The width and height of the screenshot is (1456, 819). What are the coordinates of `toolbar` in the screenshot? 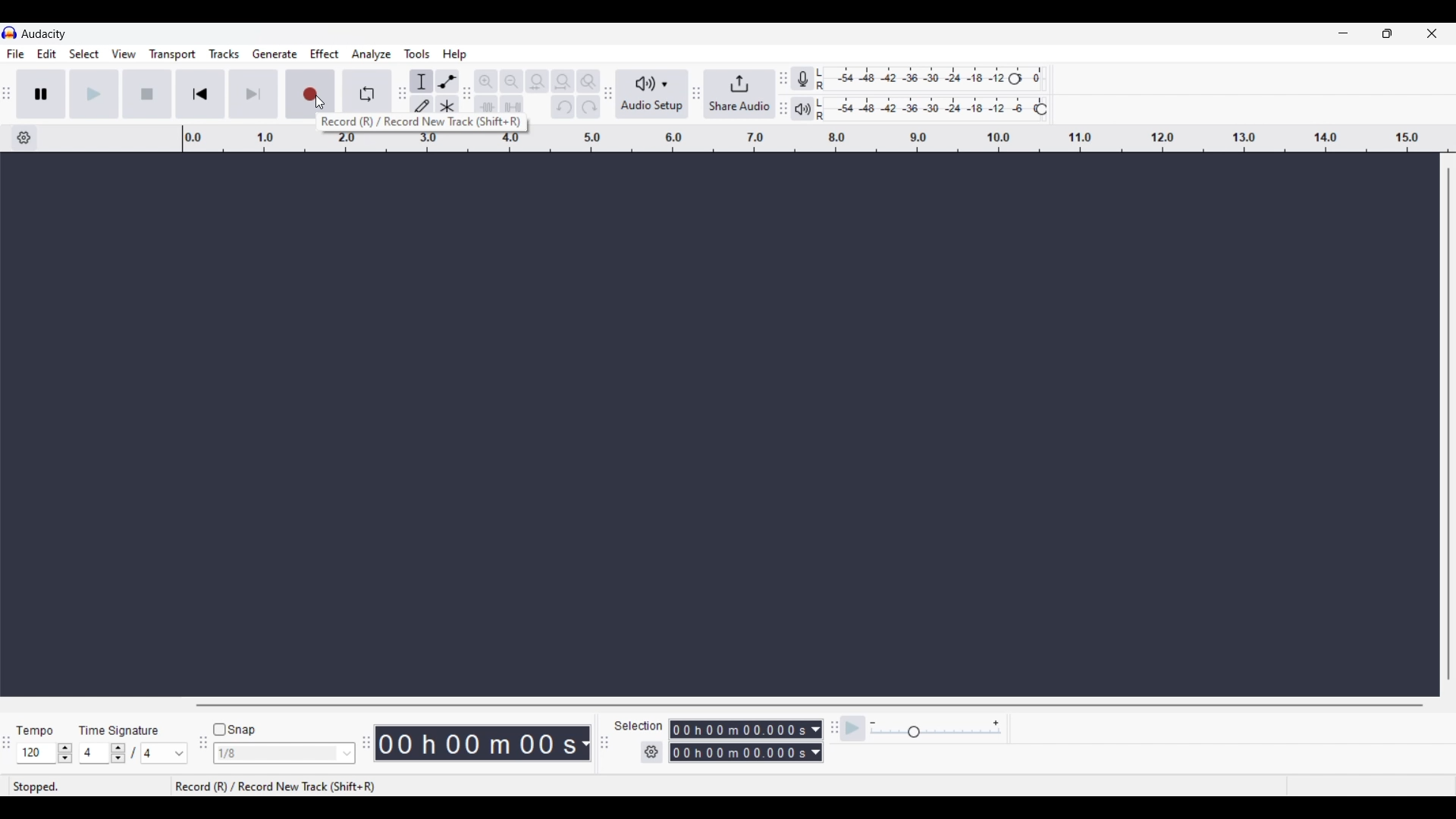 It's located at (363, 740).